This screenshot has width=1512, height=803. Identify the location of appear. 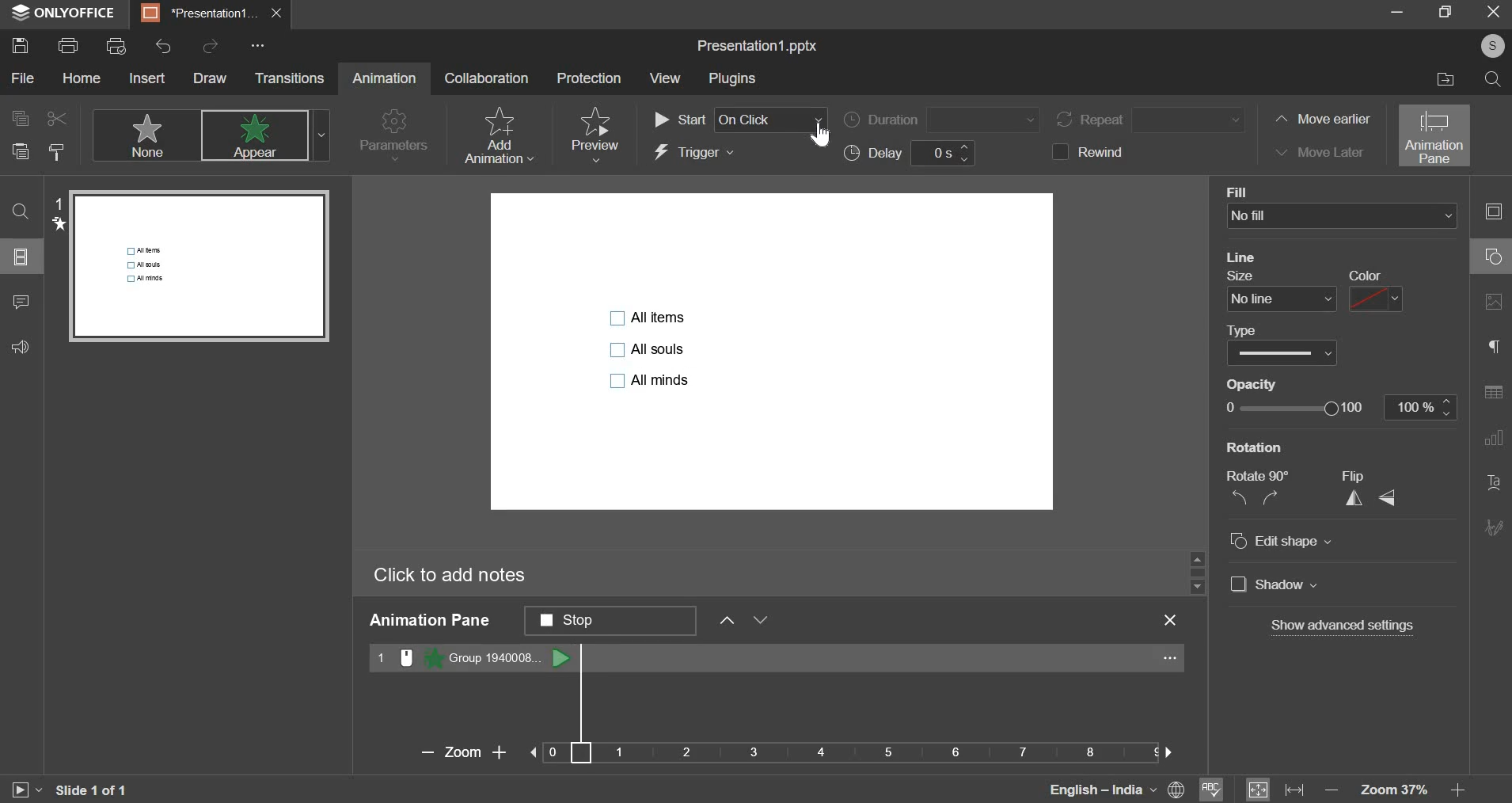
(264, 136).